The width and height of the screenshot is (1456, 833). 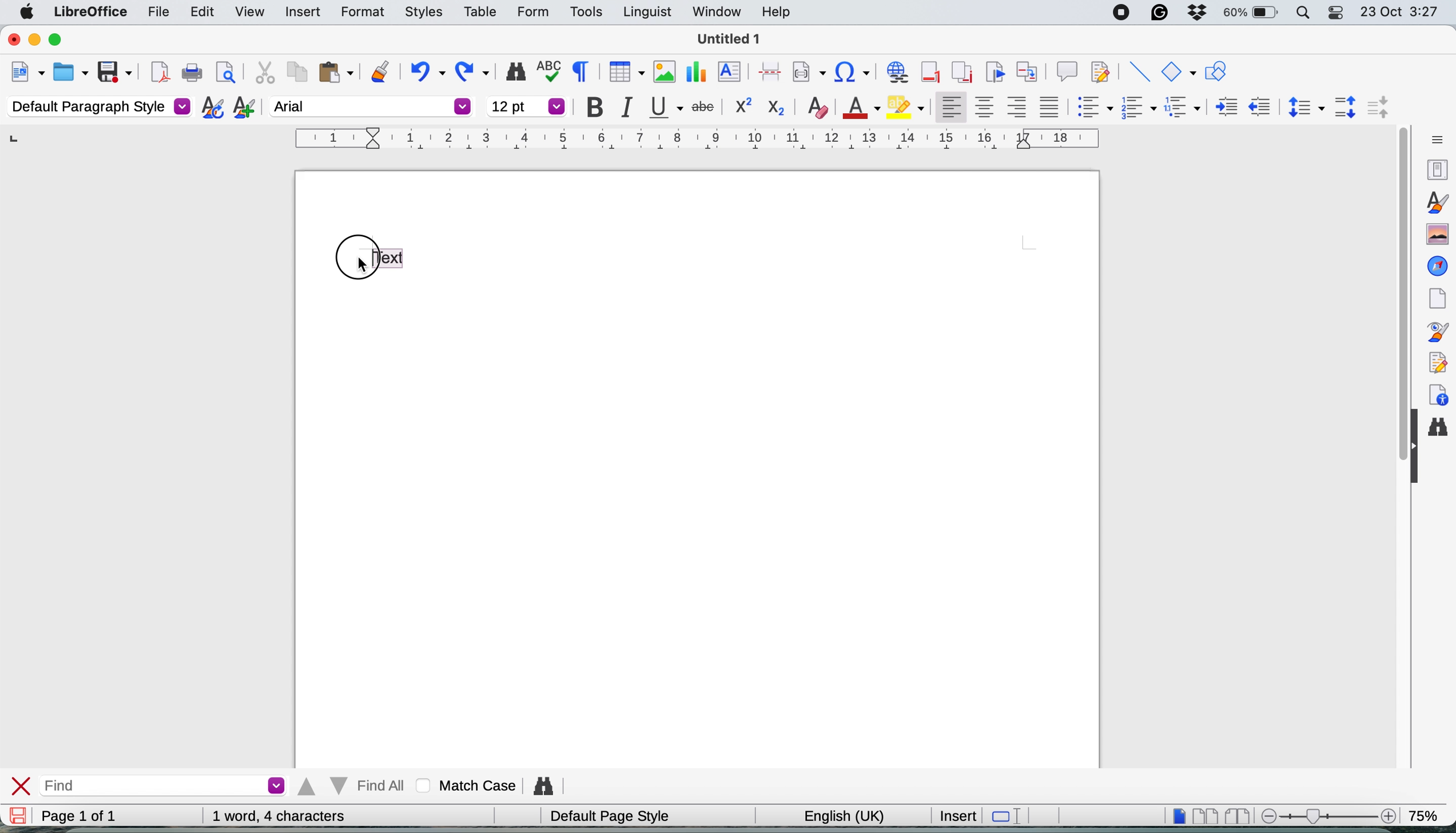 What do you see at coordinates (77, 816) in the screenshot?
I see `page 1 of 1` at bounding box center [77, 816].